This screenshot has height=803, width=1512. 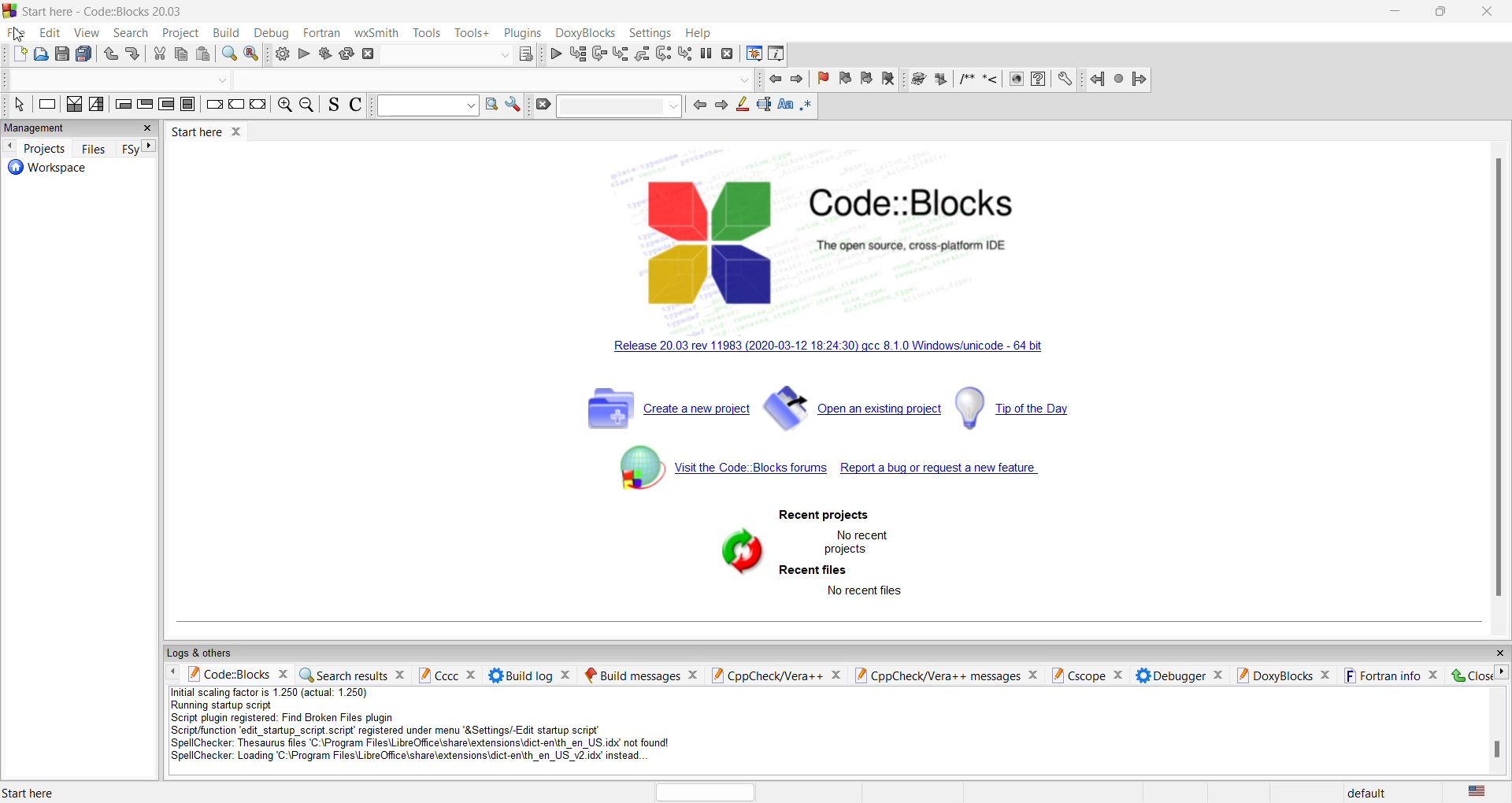 I want to click on replace, so click(x=252, y=56).